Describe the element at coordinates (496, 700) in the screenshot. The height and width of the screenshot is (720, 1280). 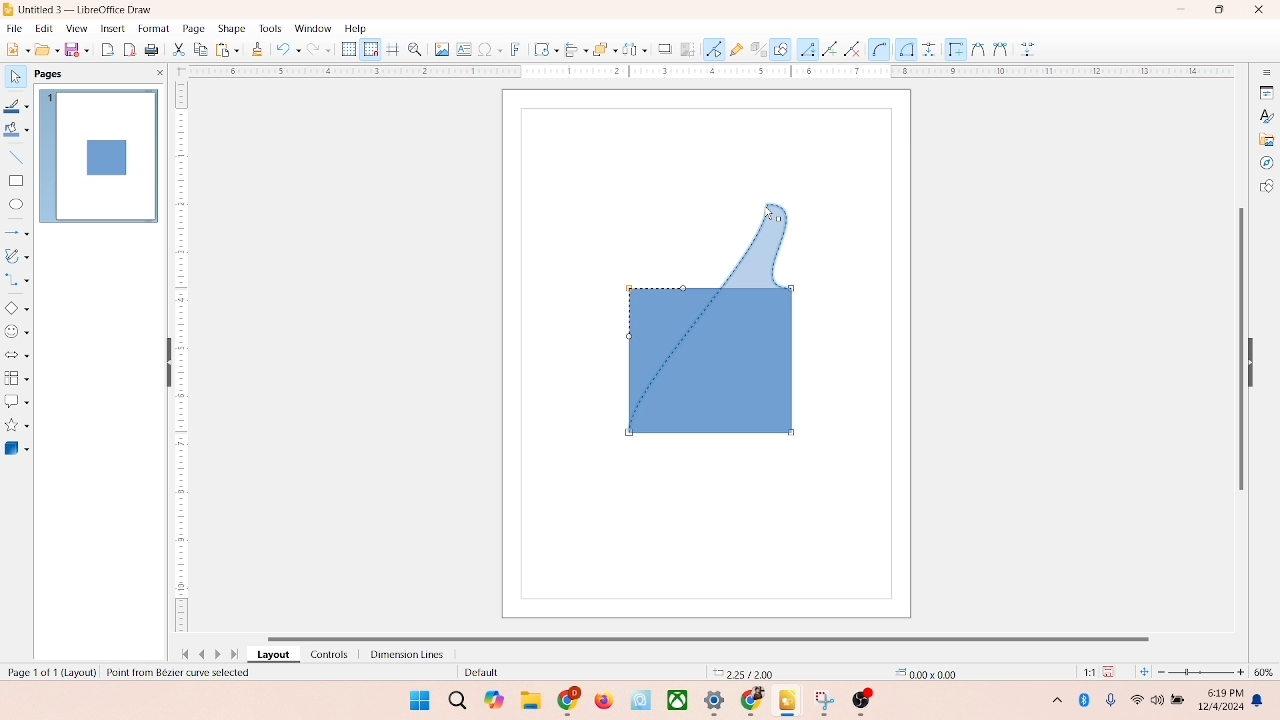
I see `copilot` at that location.